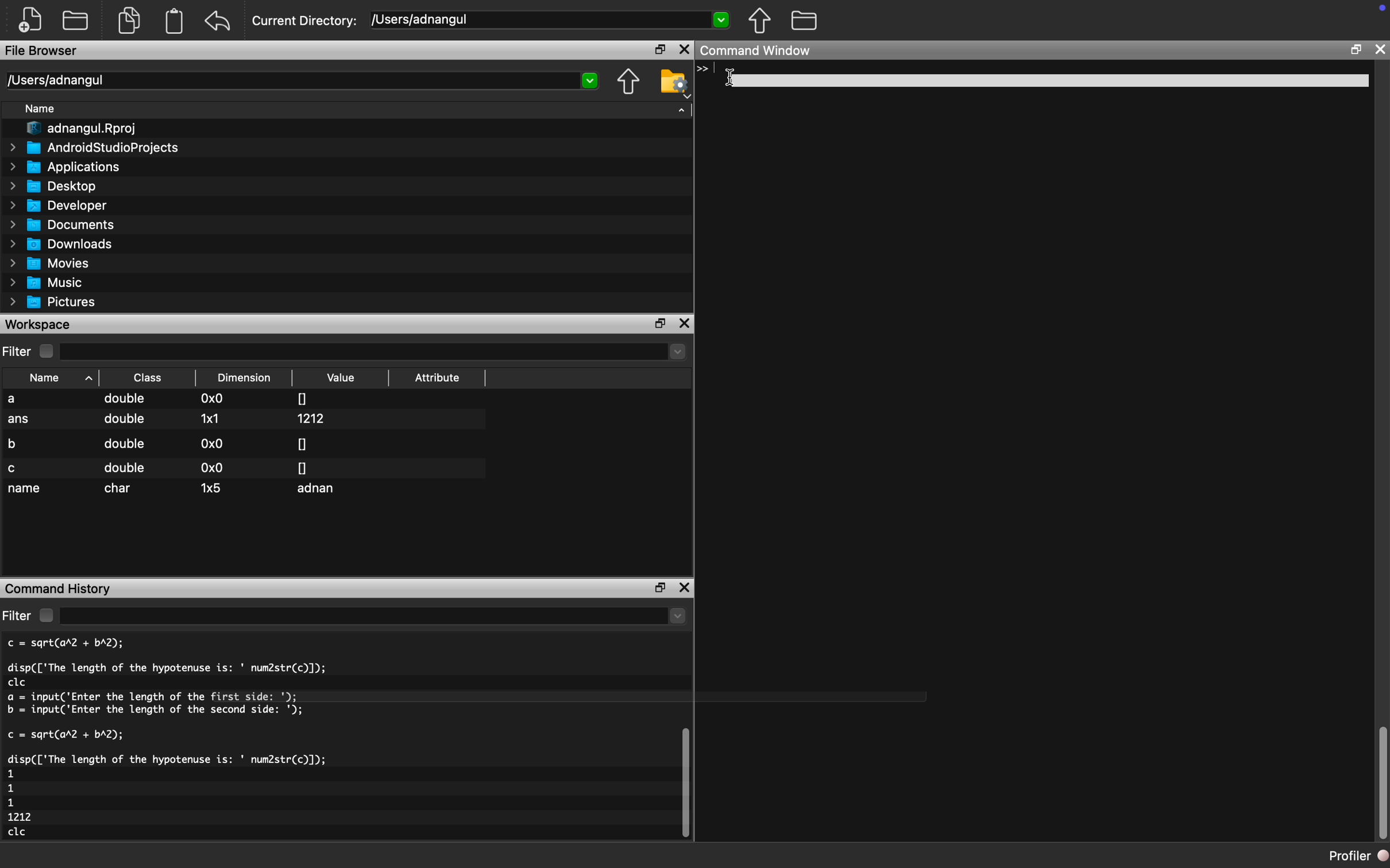 The height and width of the screenshot is (868, 1390). What do you see at coordinates (375, 617) in the screenshot?
I see `dropdown` at bounding box center [375, 617].